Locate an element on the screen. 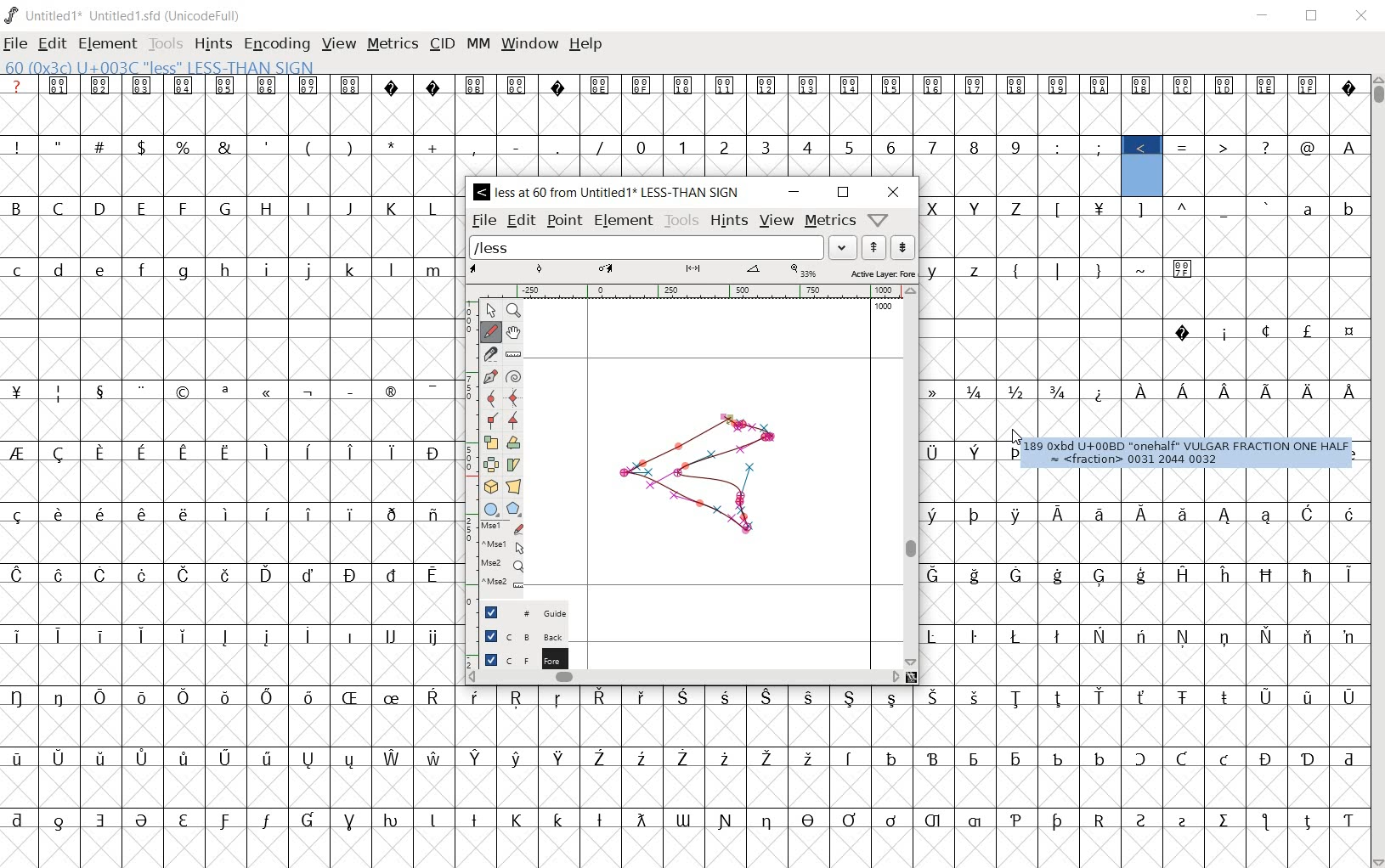 The height and width of the screenshot is (868, 1385). empty cells is located at coordinates (232, 235).